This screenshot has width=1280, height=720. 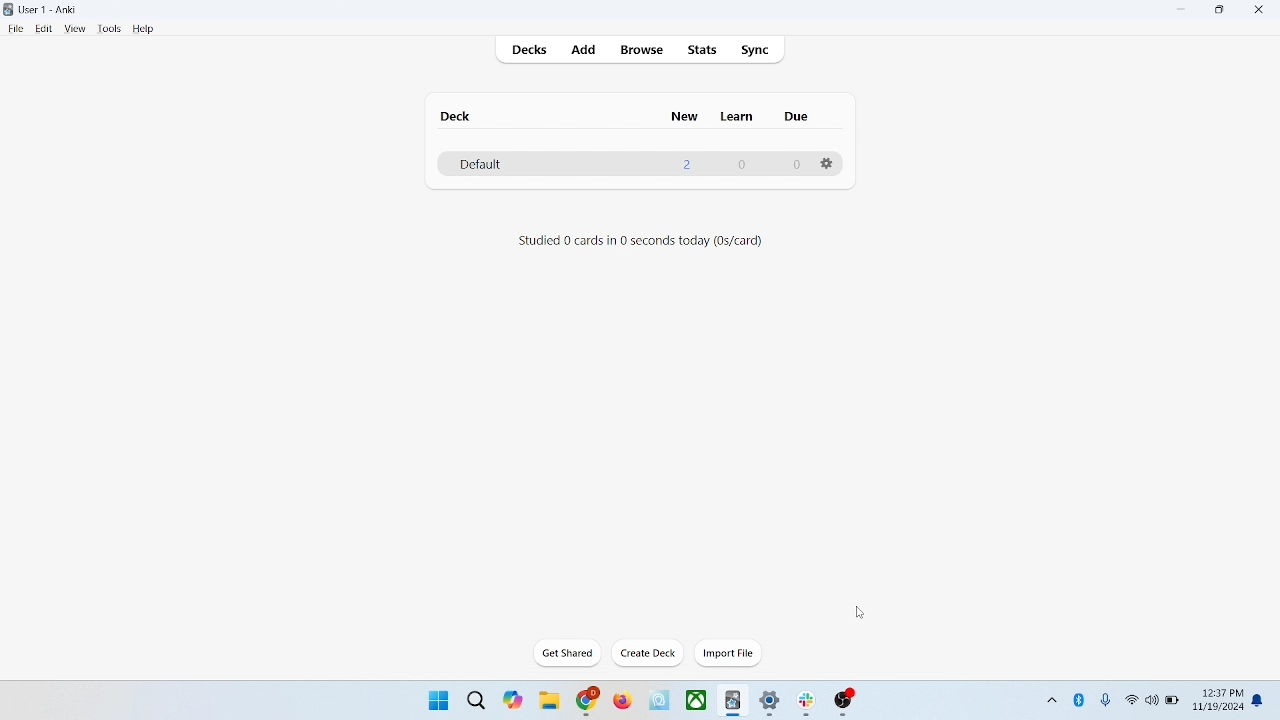 What do you see at coordinates (1173, 702) in the screenshot?
I see `battery` at bounding box center [1173, 702].